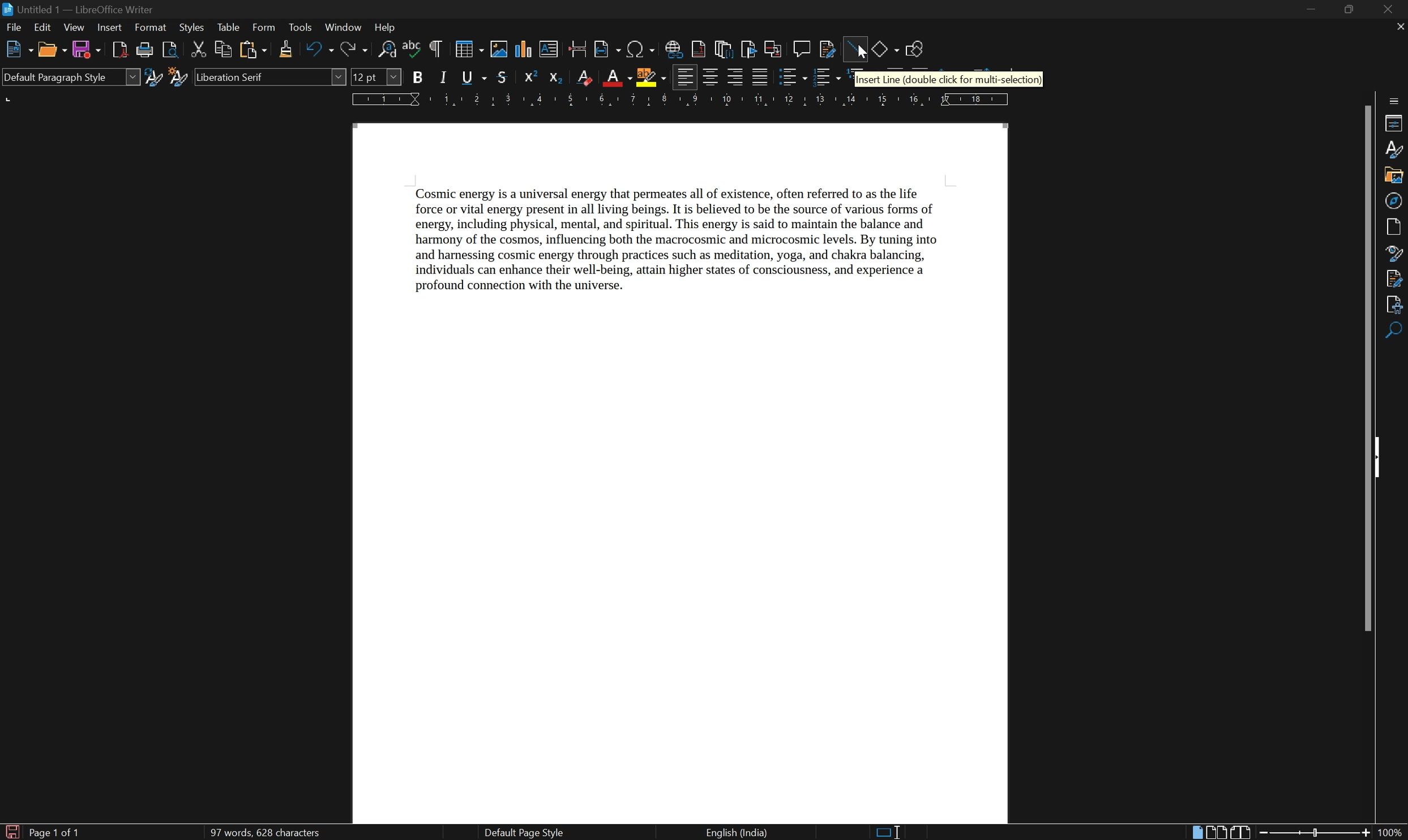  Describe the element at coordinates (774, 49) in the screenshot. I see `insert cross reference` at that location.